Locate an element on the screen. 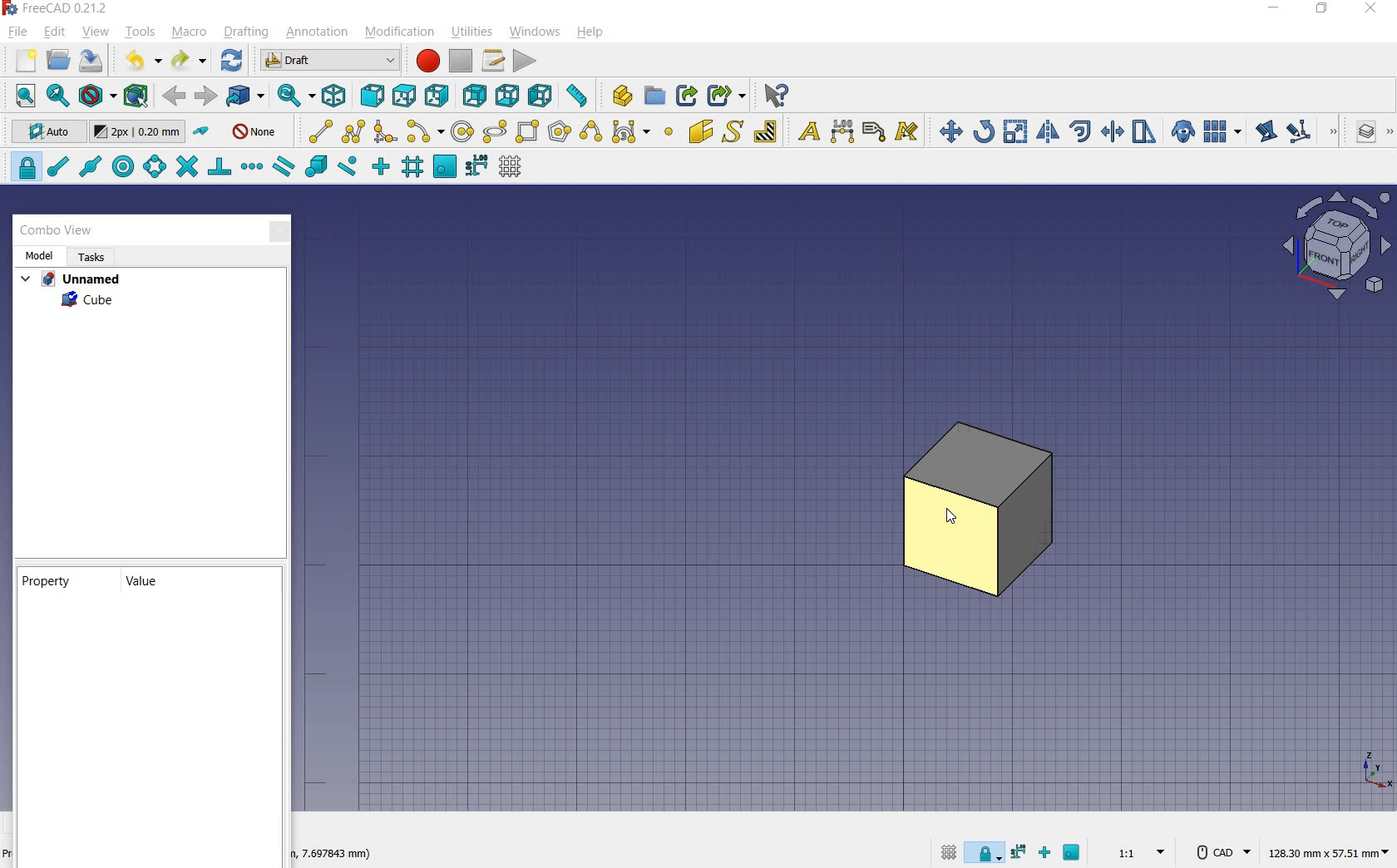 This screenshot has height=868, width=1397. help is located at coordinates (590, 32).